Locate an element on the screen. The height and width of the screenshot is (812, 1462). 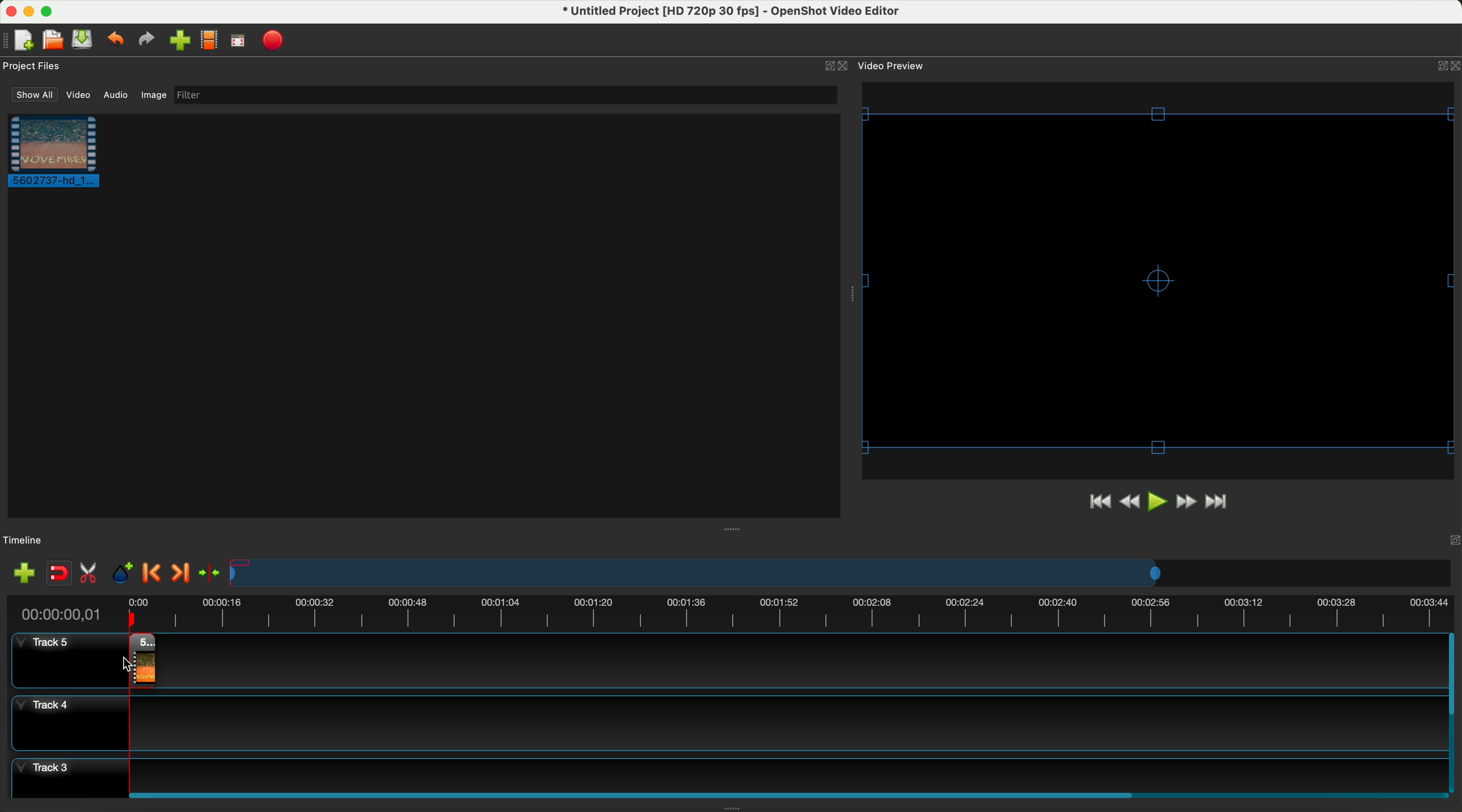
track 5 is located at coordinates (62, 660).